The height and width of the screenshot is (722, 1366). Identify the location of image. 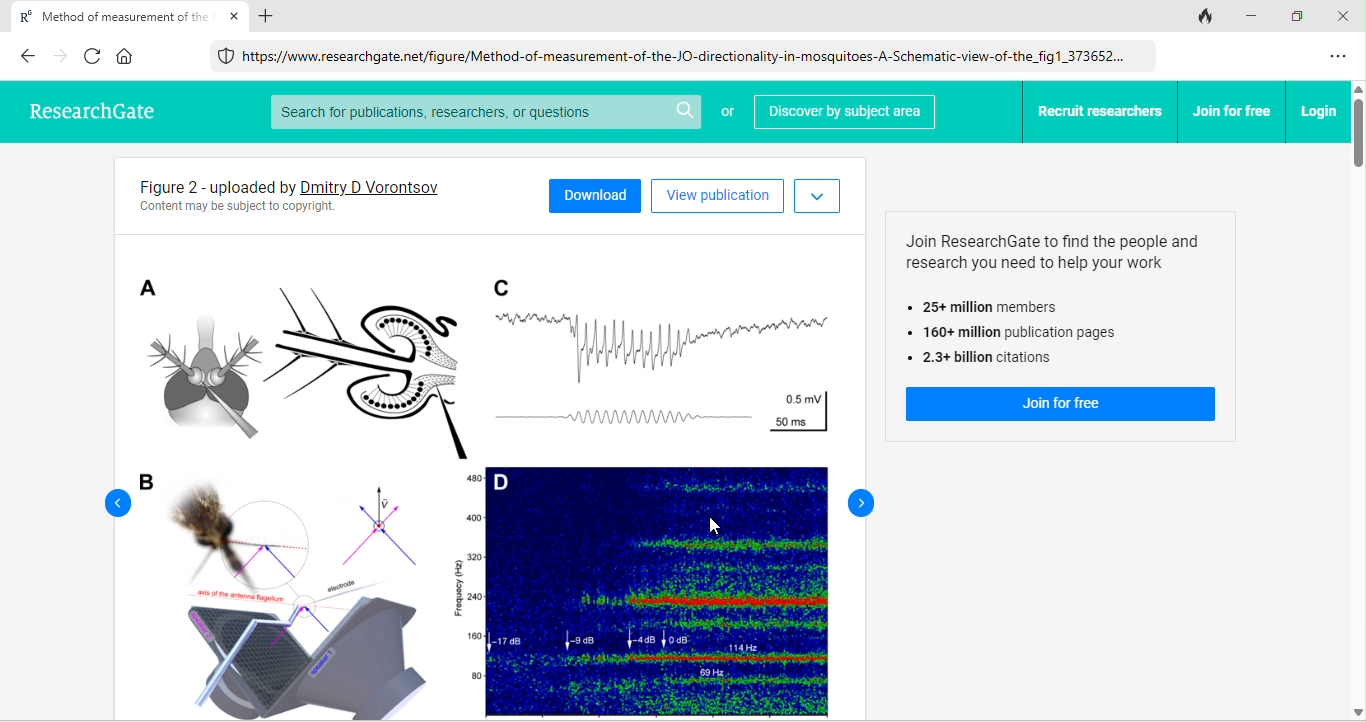
(480, 474).